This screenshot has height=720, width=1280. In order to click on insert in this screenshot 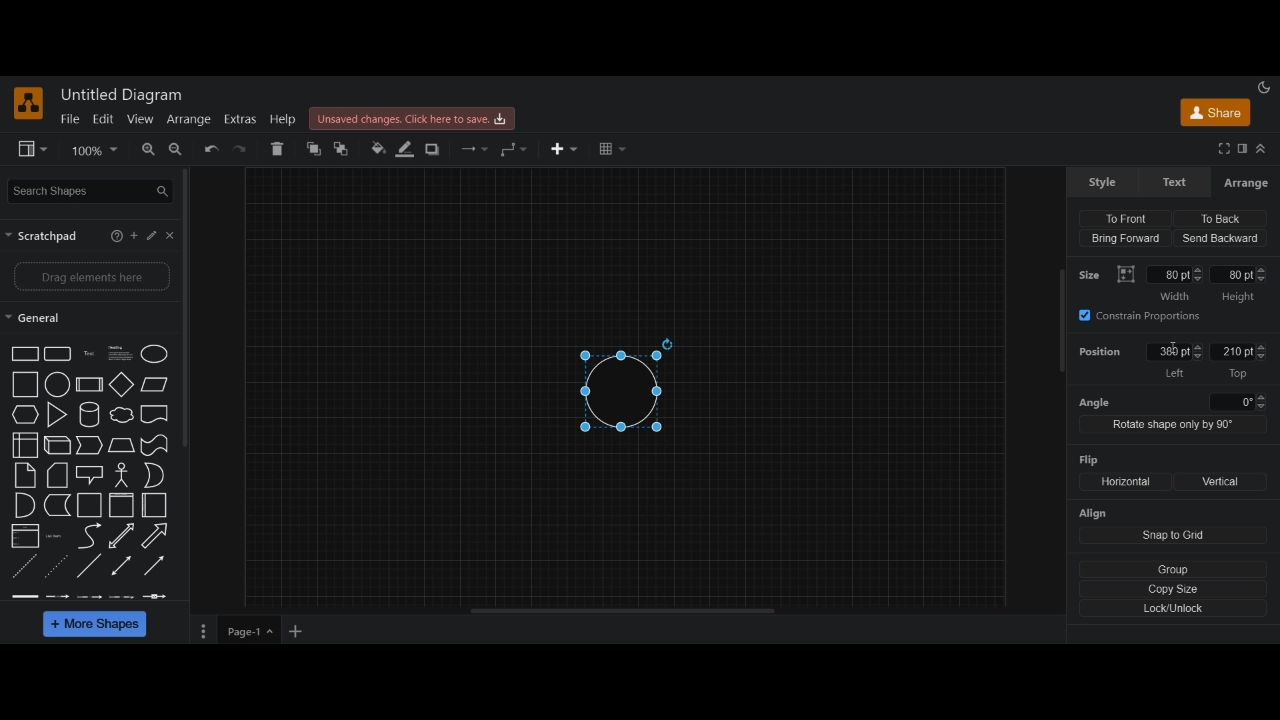, I will do `click(567, 149)`.